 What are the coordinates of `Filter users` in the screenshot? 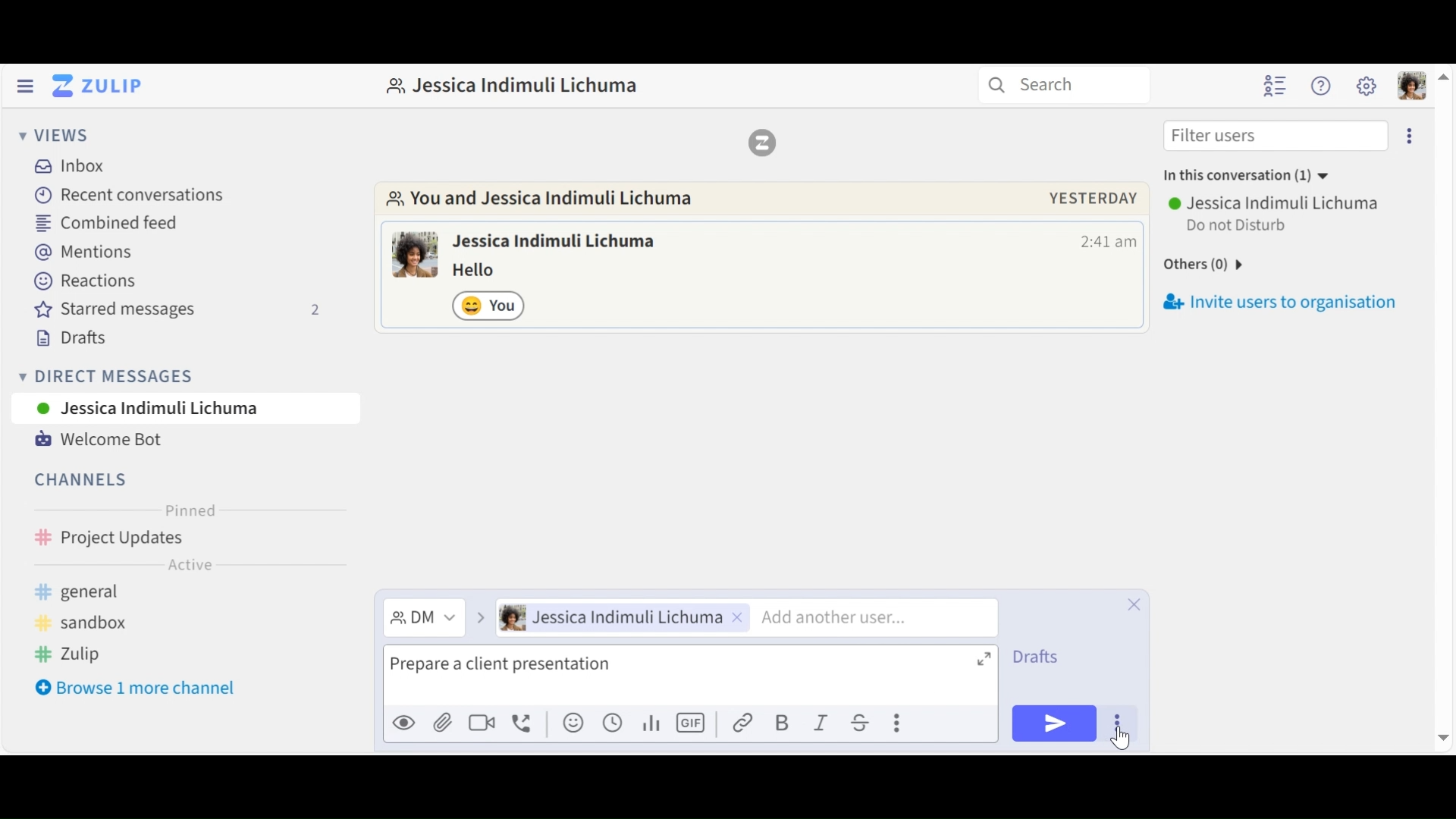 It's located at (1275, 135).